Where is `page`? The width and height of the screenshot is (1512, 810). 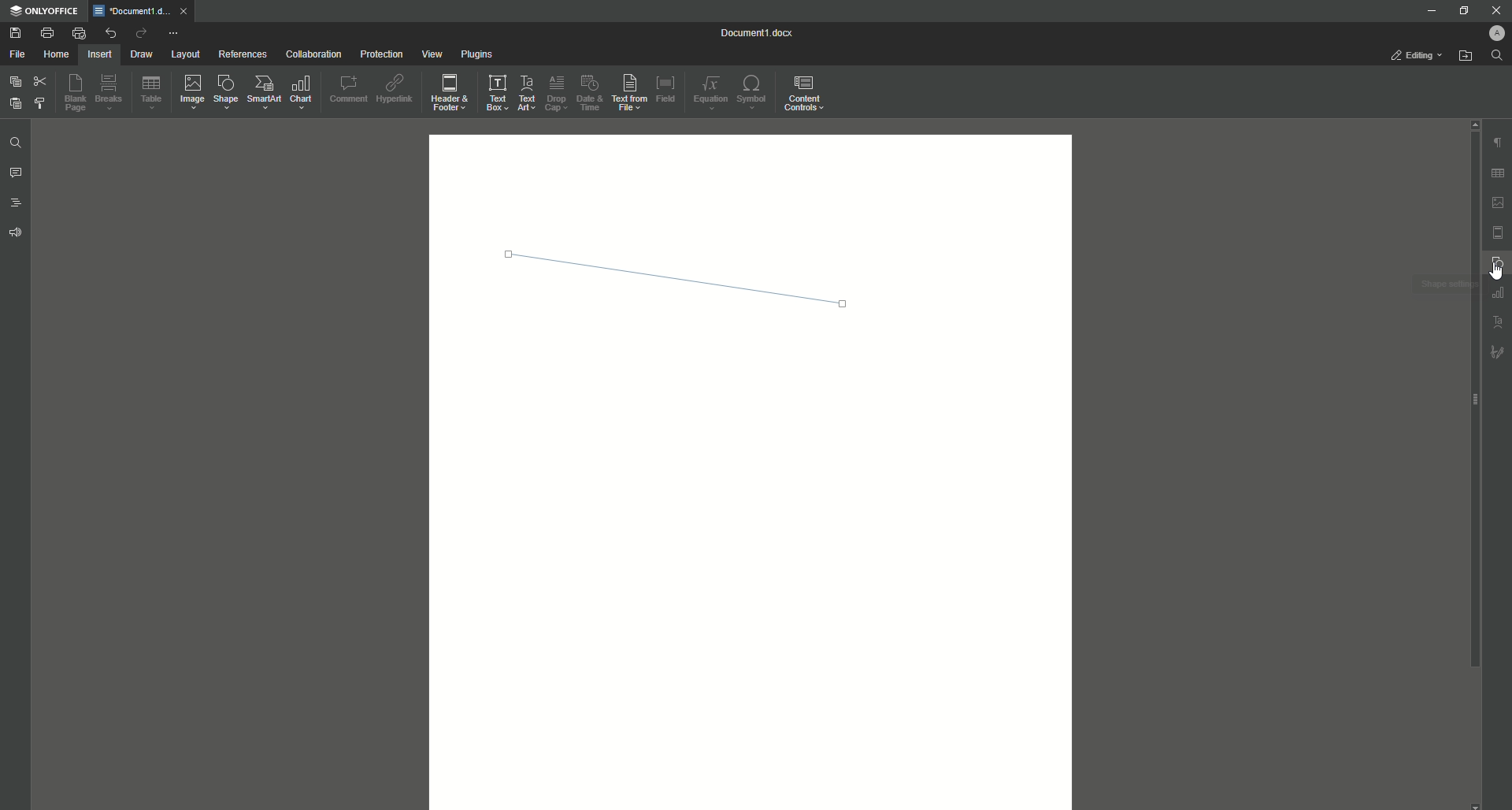
page is located at coordinates (1499, 232).